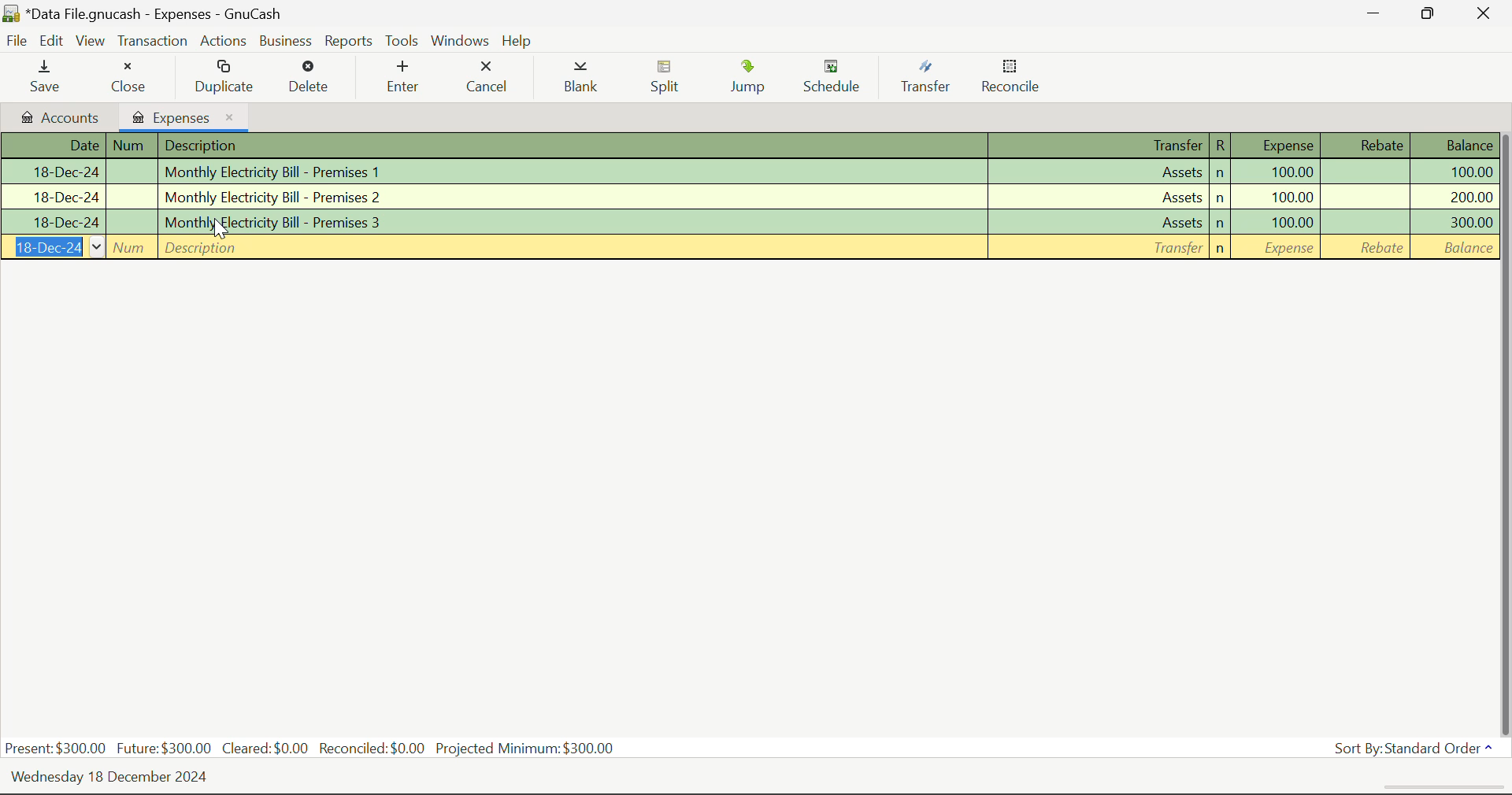  I want to click on Expenses, so click(183, 115).